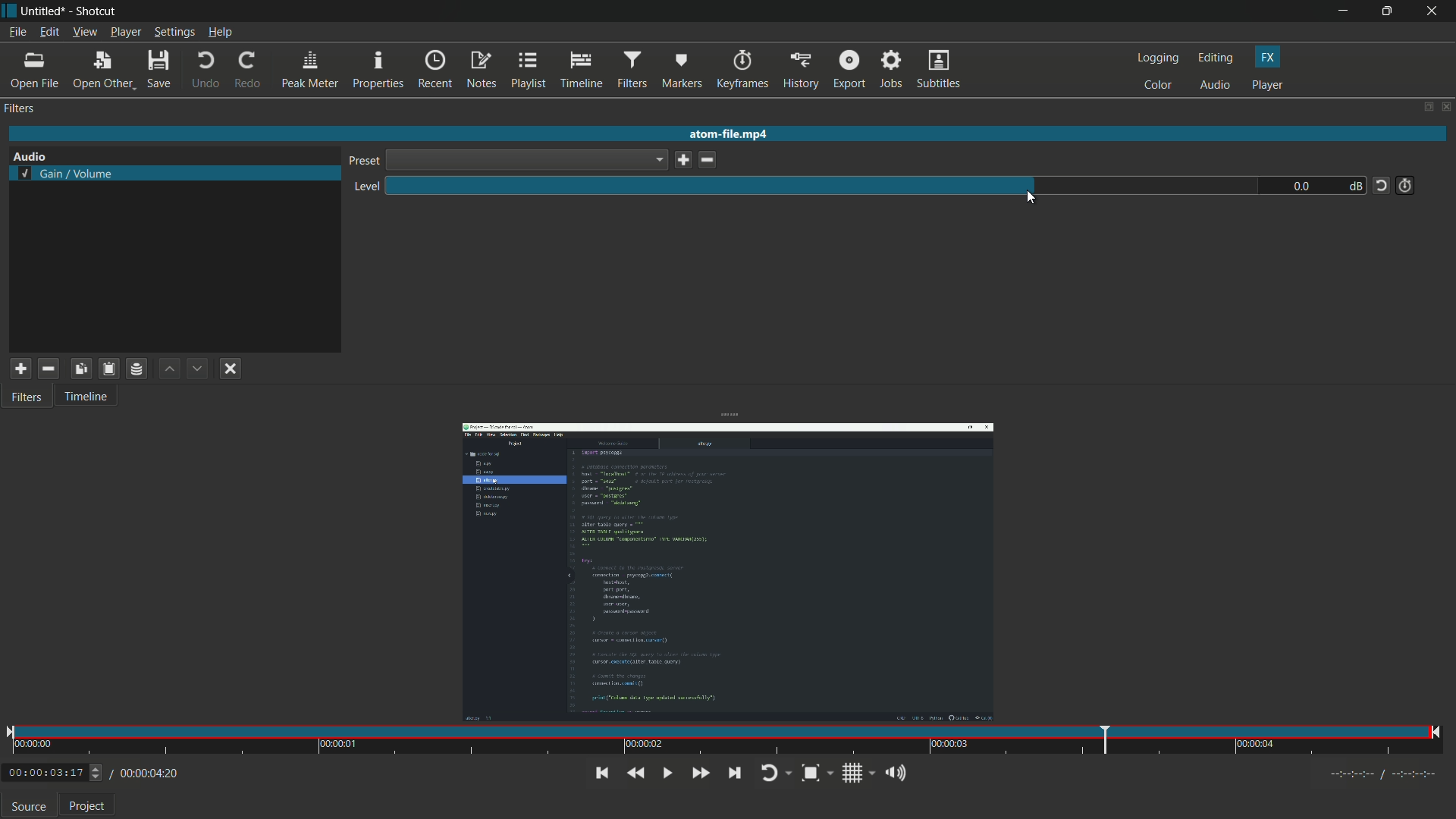  What do you see at coordinates (727, 573) in the screenshot?
I see `imported video` at bounding box center [727, 573].